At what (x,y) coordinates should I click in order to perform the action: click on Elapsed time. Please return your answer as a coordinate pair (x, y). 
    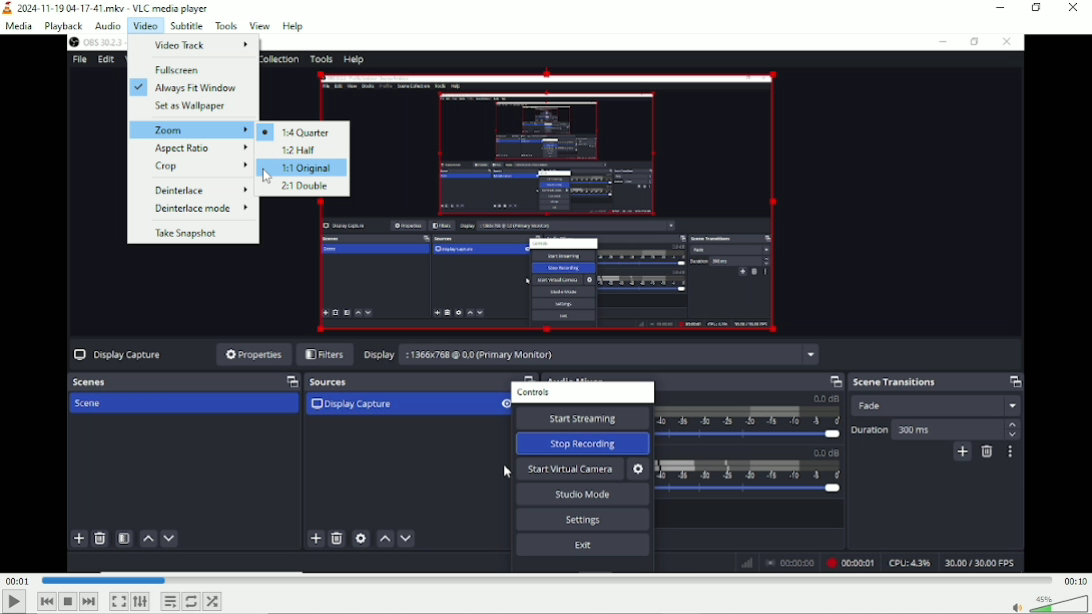
    Looking at the image, I should click on (17, 580).